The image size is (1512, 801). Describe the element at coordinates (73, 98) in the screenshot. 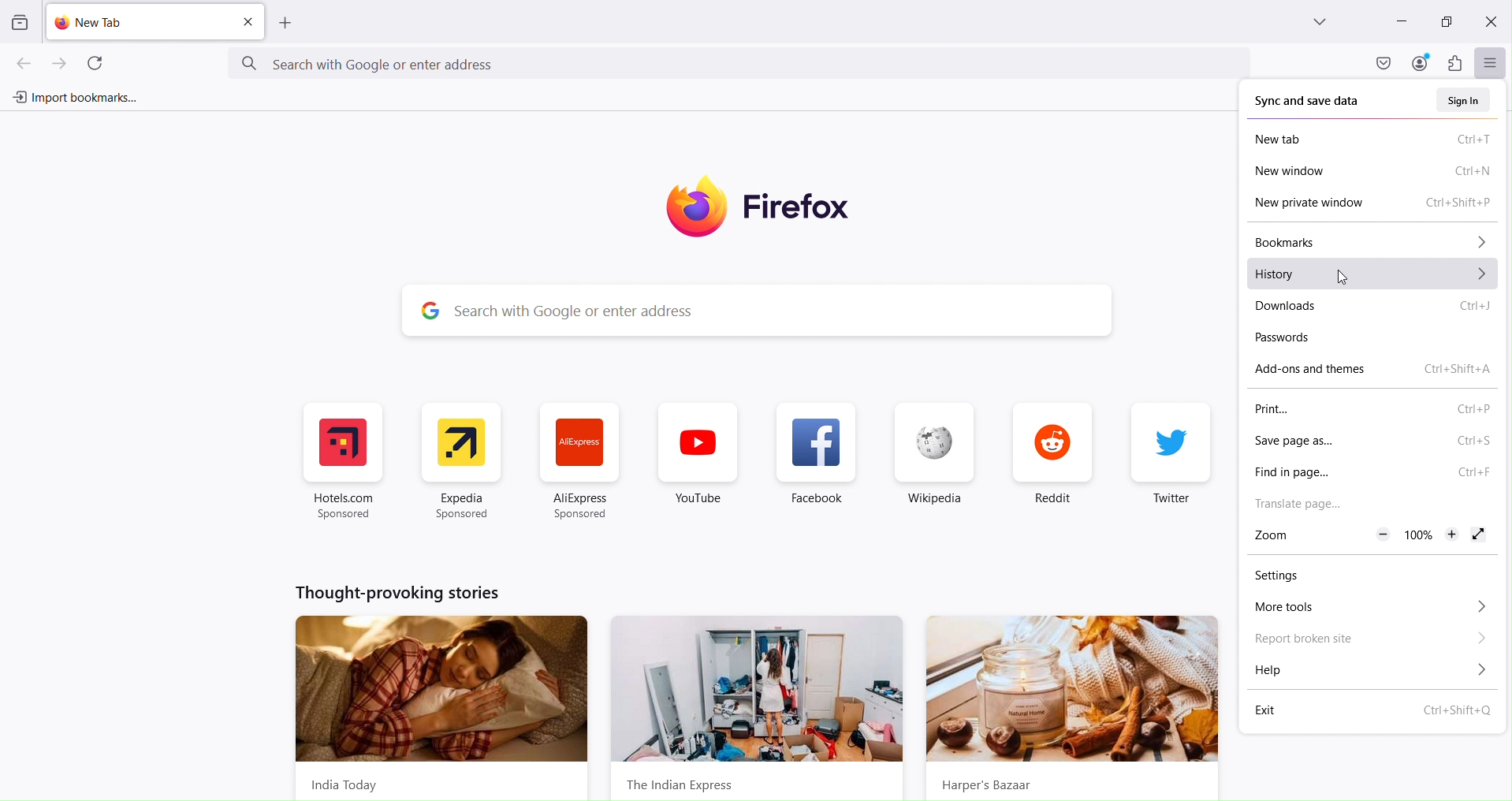

I see `Import bookmarks` at that location.